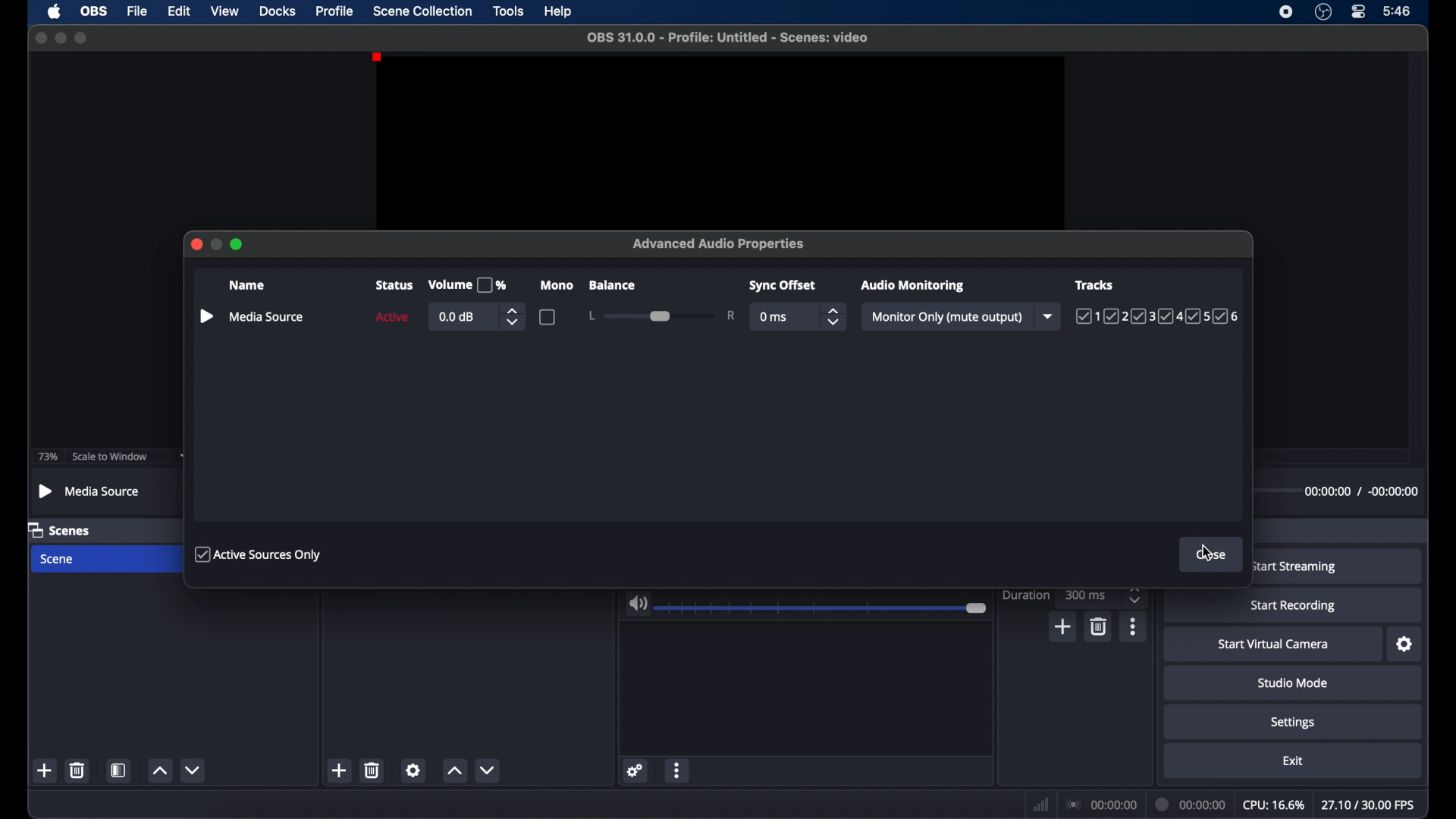  Describe the element at coordinates (119, 770) in the screenshot. I see `scene filters` at that location.